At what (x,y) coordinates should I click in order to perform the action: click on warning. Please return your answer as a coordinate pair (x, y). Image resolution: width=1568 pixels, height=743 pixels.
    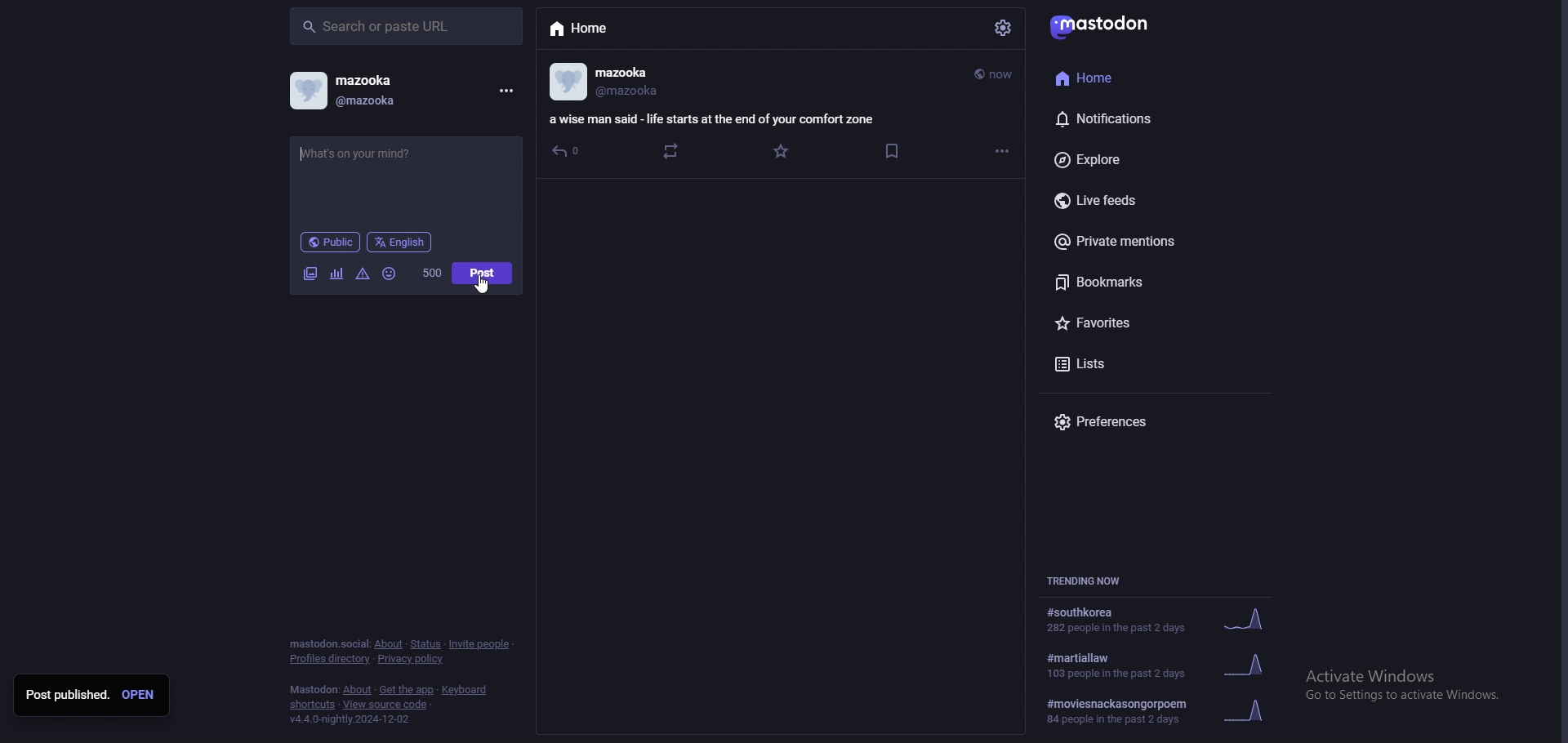
    Looking at the image, I should click on (363, 275).